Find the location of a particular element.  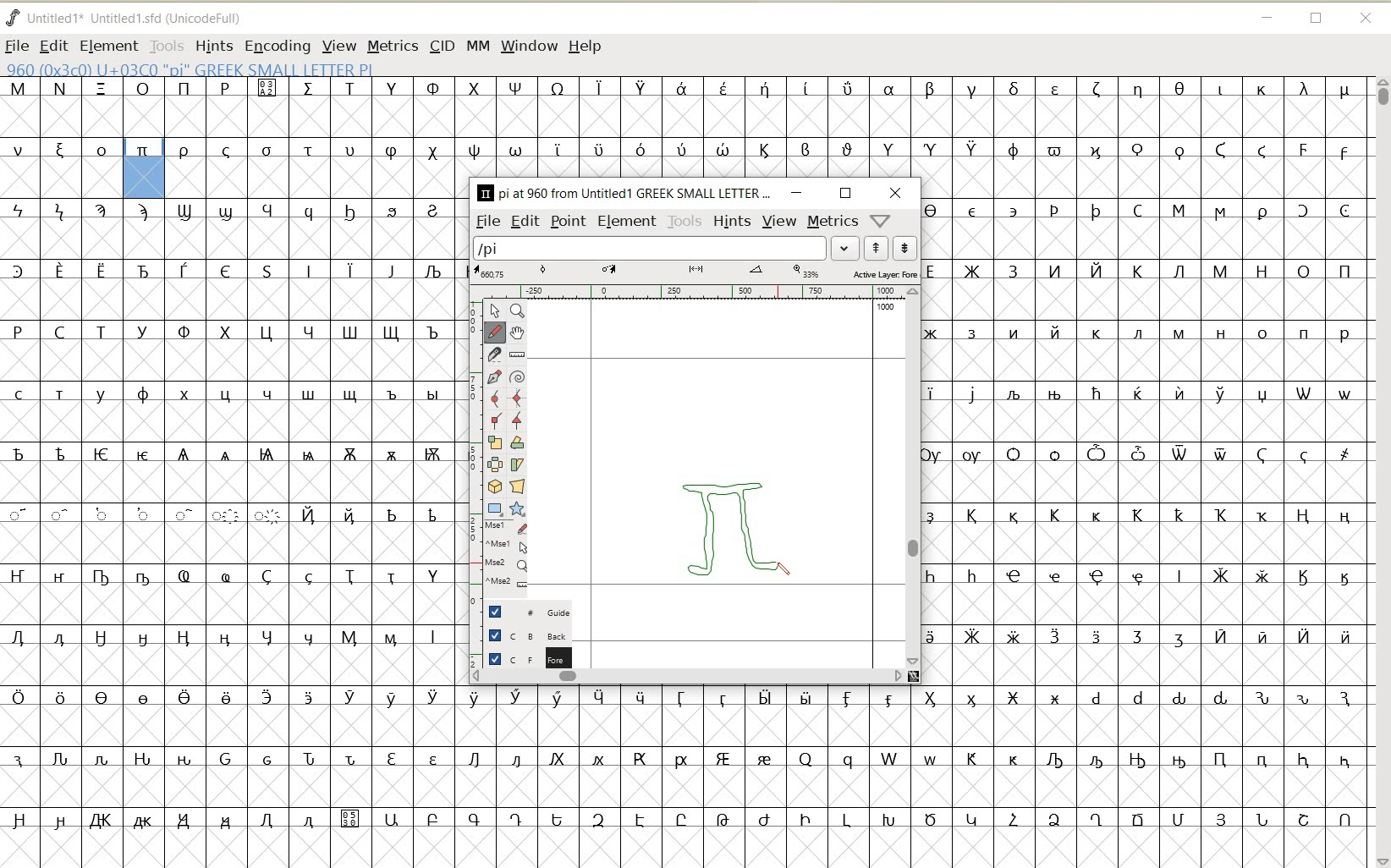

Magnify is located at coordinates (519, 312).